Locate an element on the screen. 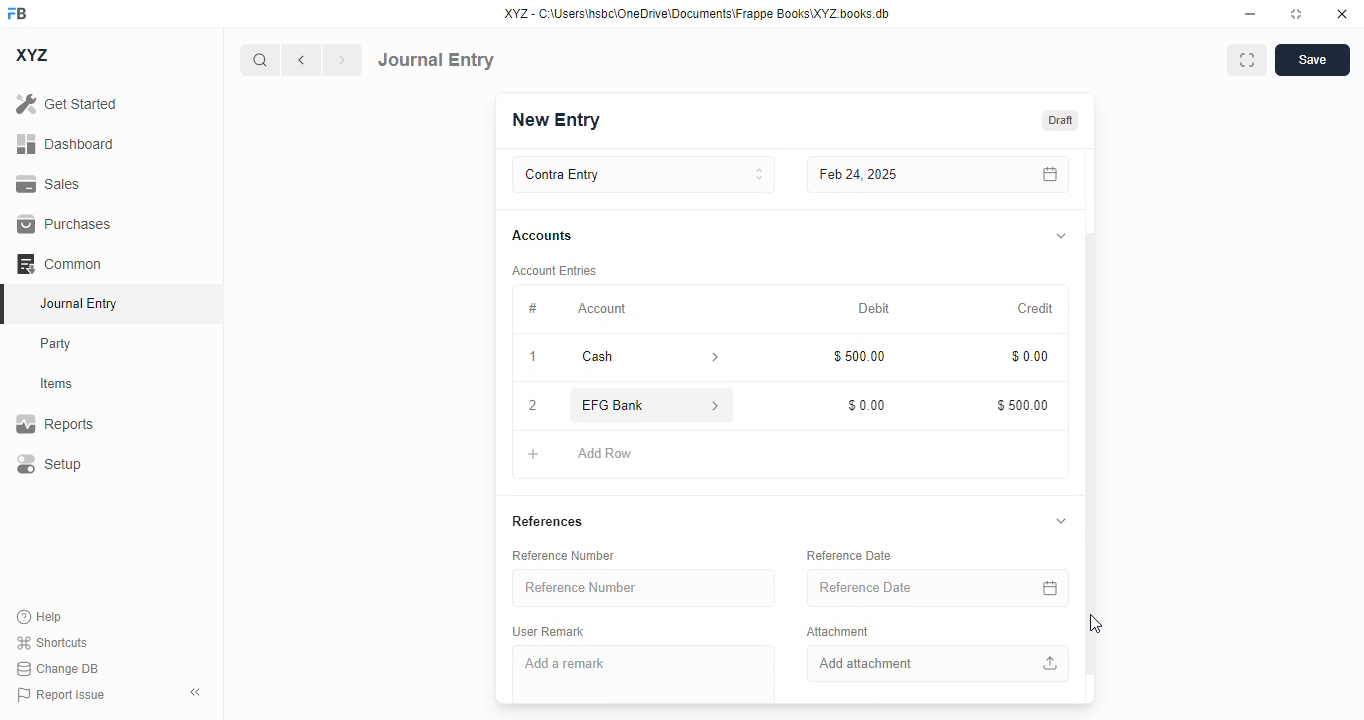 Image resolution: width=1364 pixels, height=720 pixels. account information is located at coordinates (709, 357).